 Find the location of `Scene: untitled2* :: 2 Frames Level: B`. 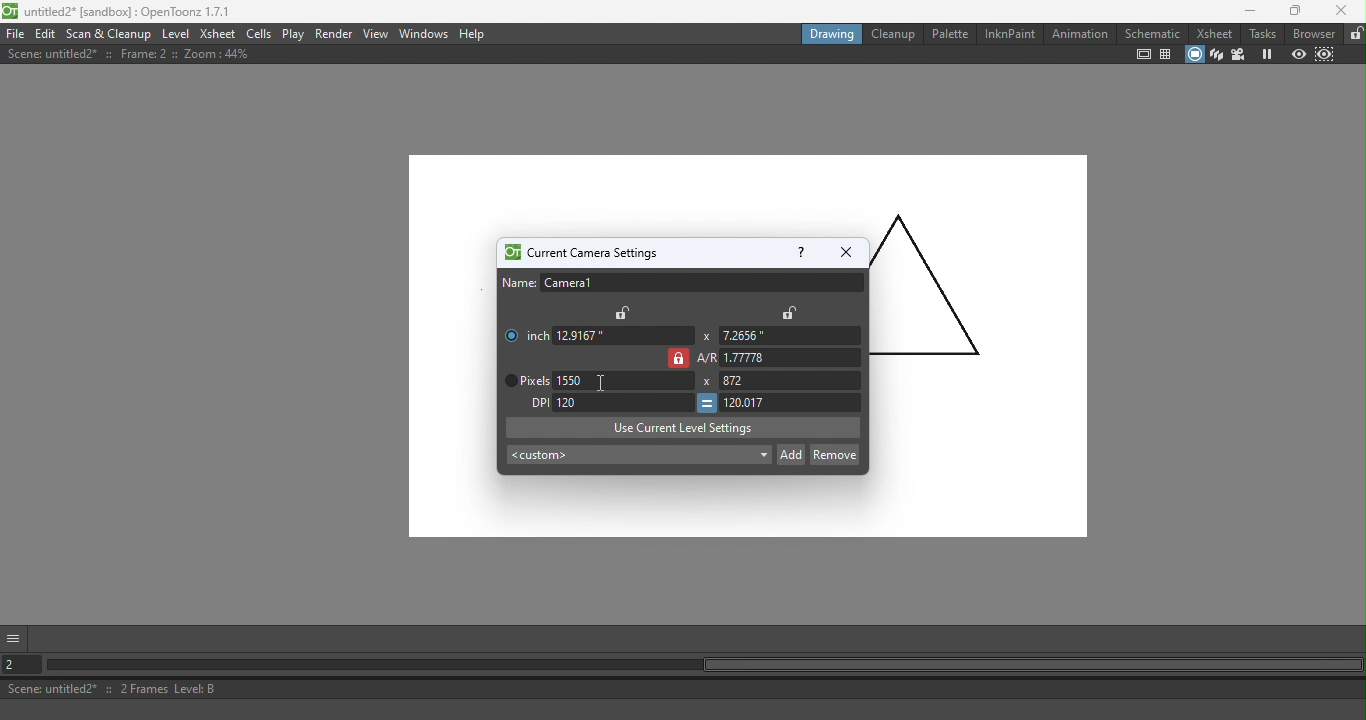

Scene: untitled2* :: 2 Frames Level: B is located at coordinates (685, 688).